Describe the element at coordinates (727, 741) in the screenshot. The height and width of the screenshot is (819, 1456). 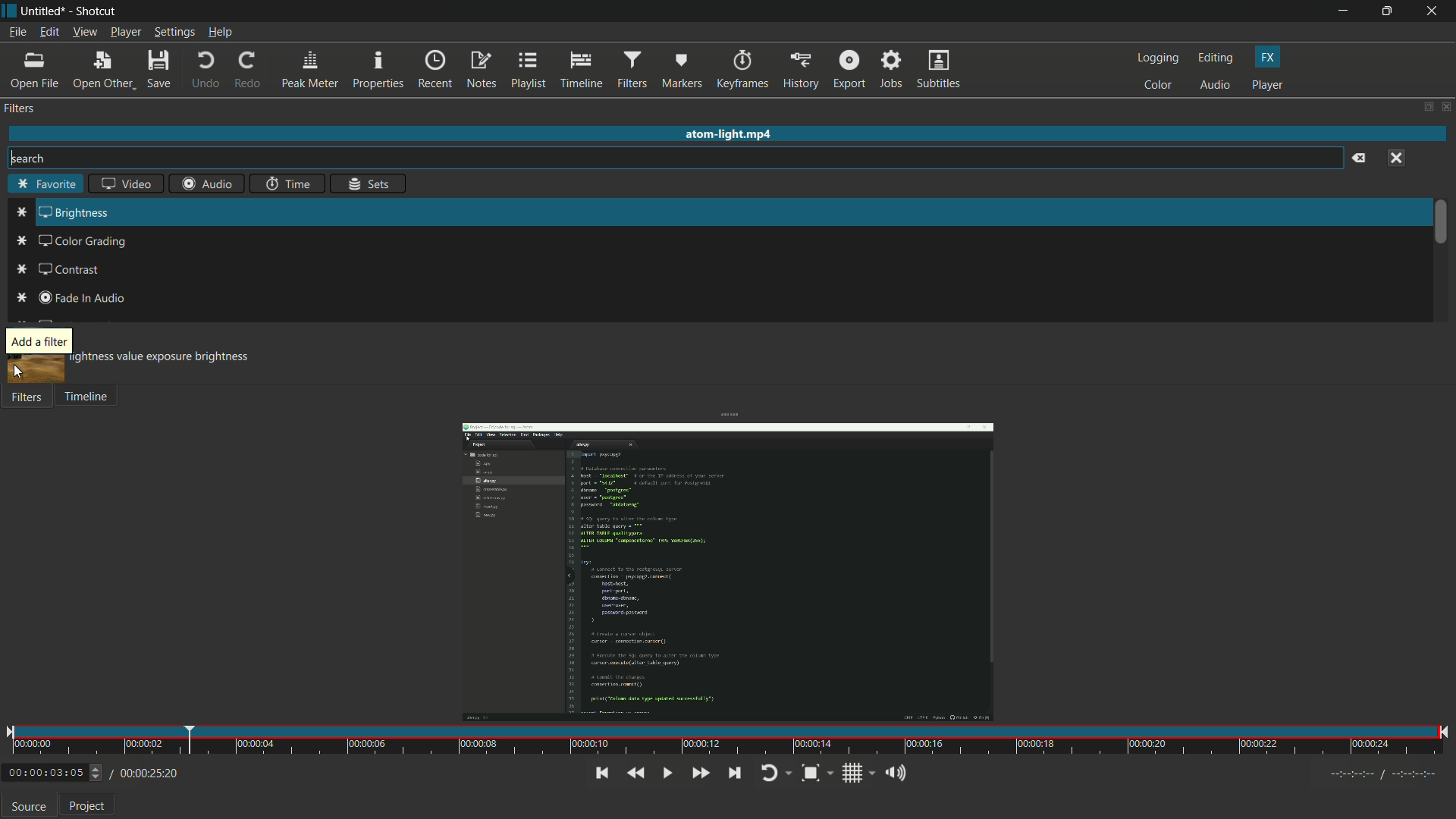
I see `time tracker` at that location.